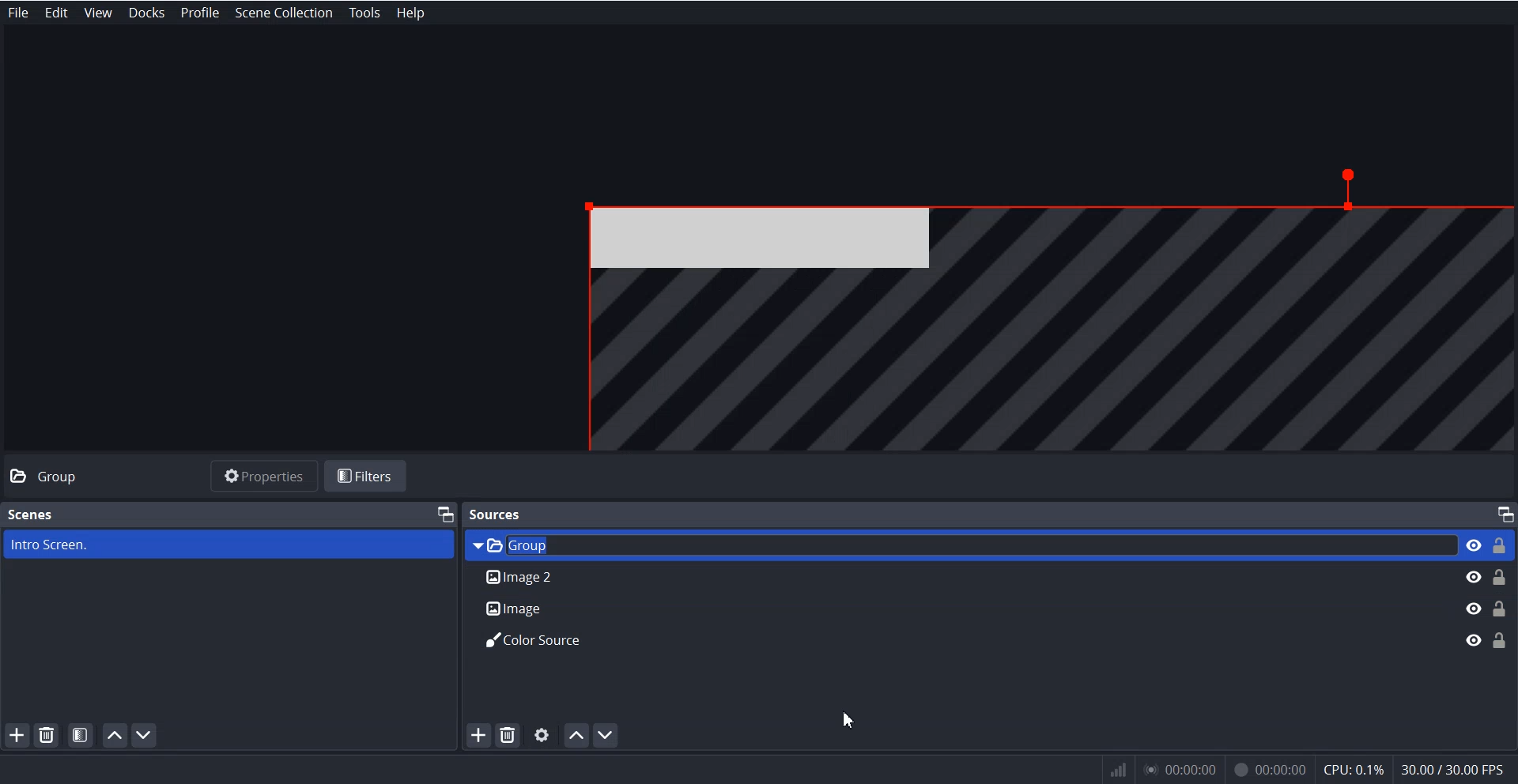 This screenshot has height=784, width=1518. I want to click on Sources, so click(498, 513).